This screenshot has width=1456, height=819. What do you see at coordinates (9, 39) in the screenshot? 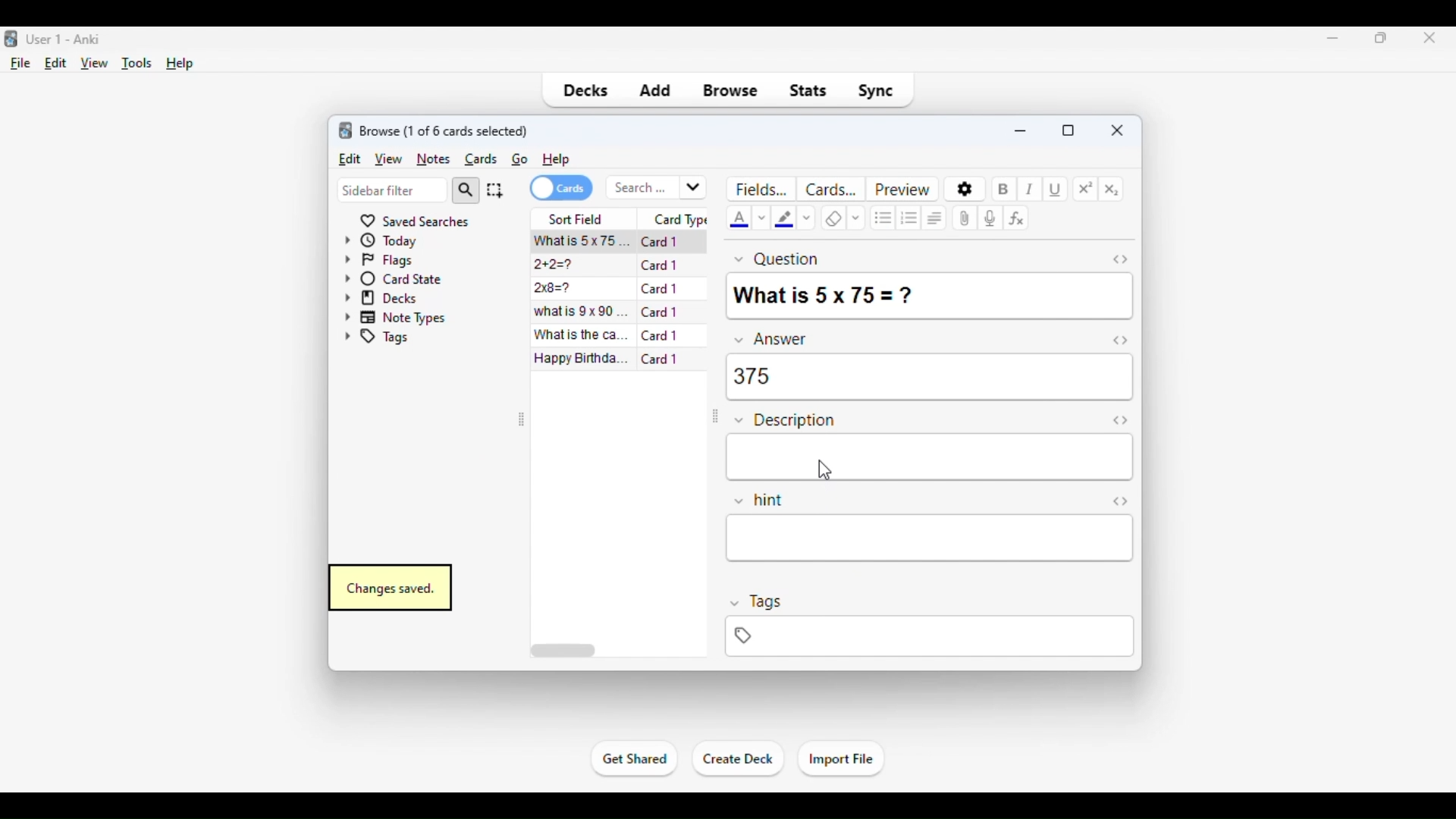
I see `logo` at bounding box center [9, 39].